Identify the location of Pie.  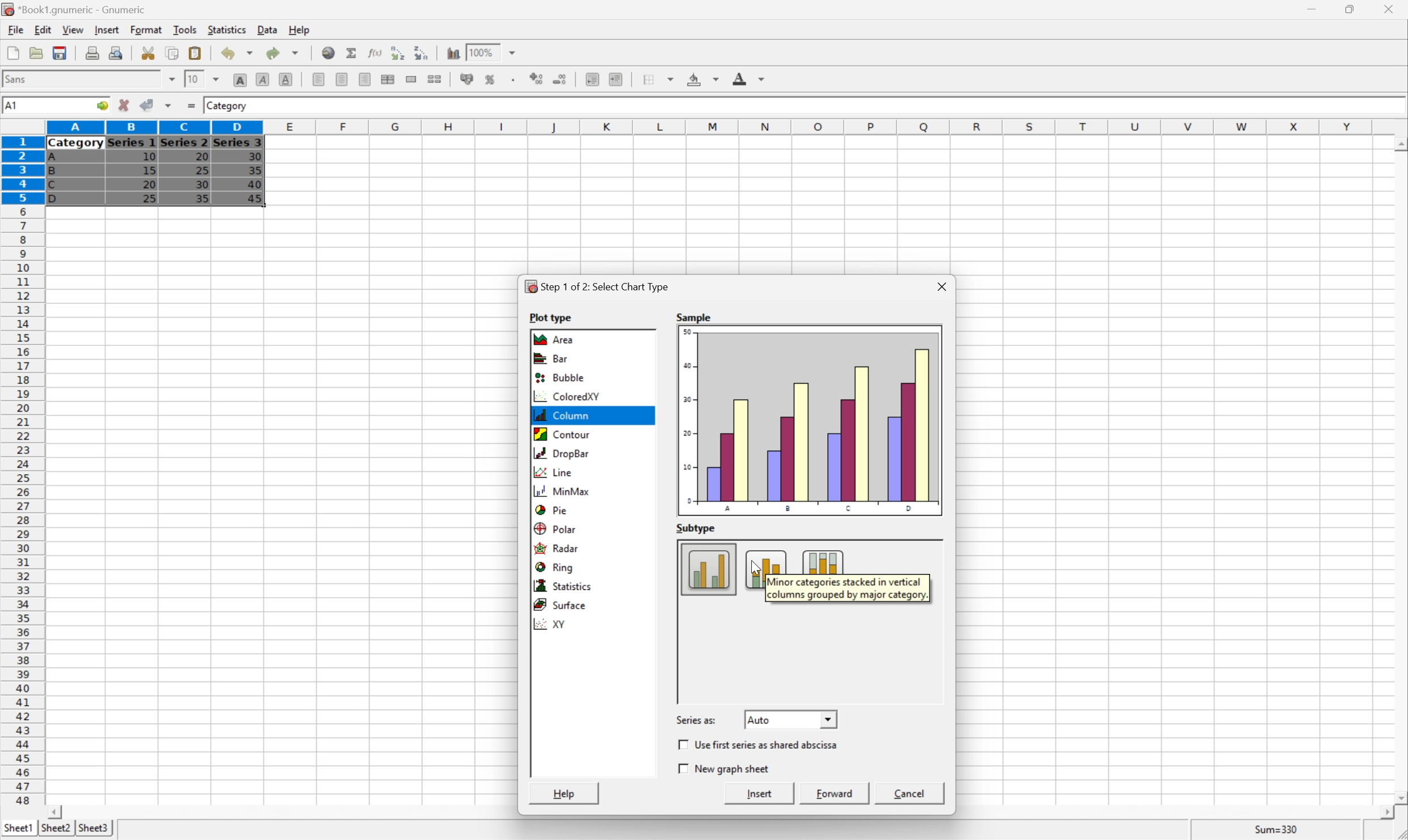
(552, 511).